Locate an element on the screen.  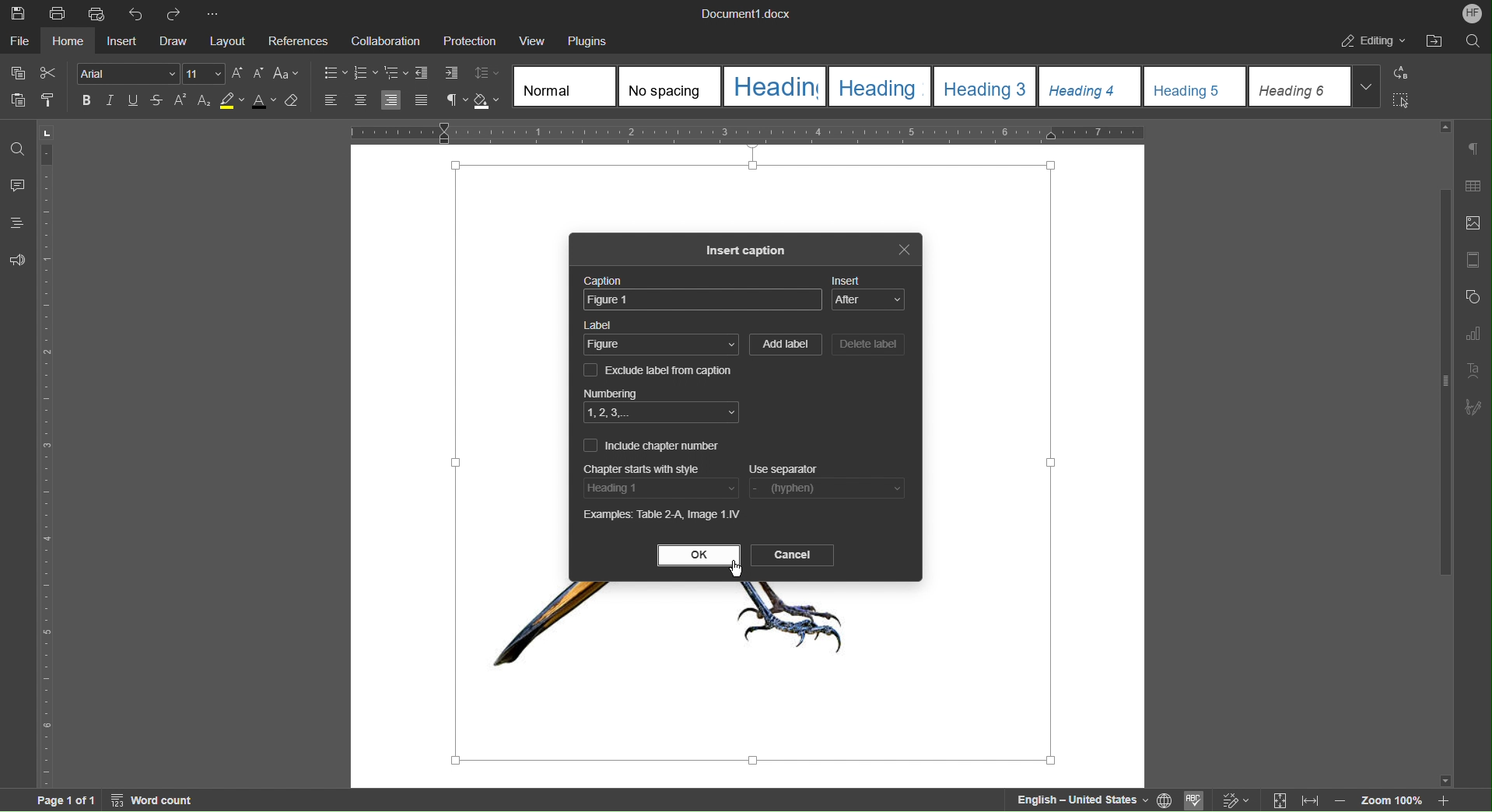
Superscript is located at coordinates (180, 100).